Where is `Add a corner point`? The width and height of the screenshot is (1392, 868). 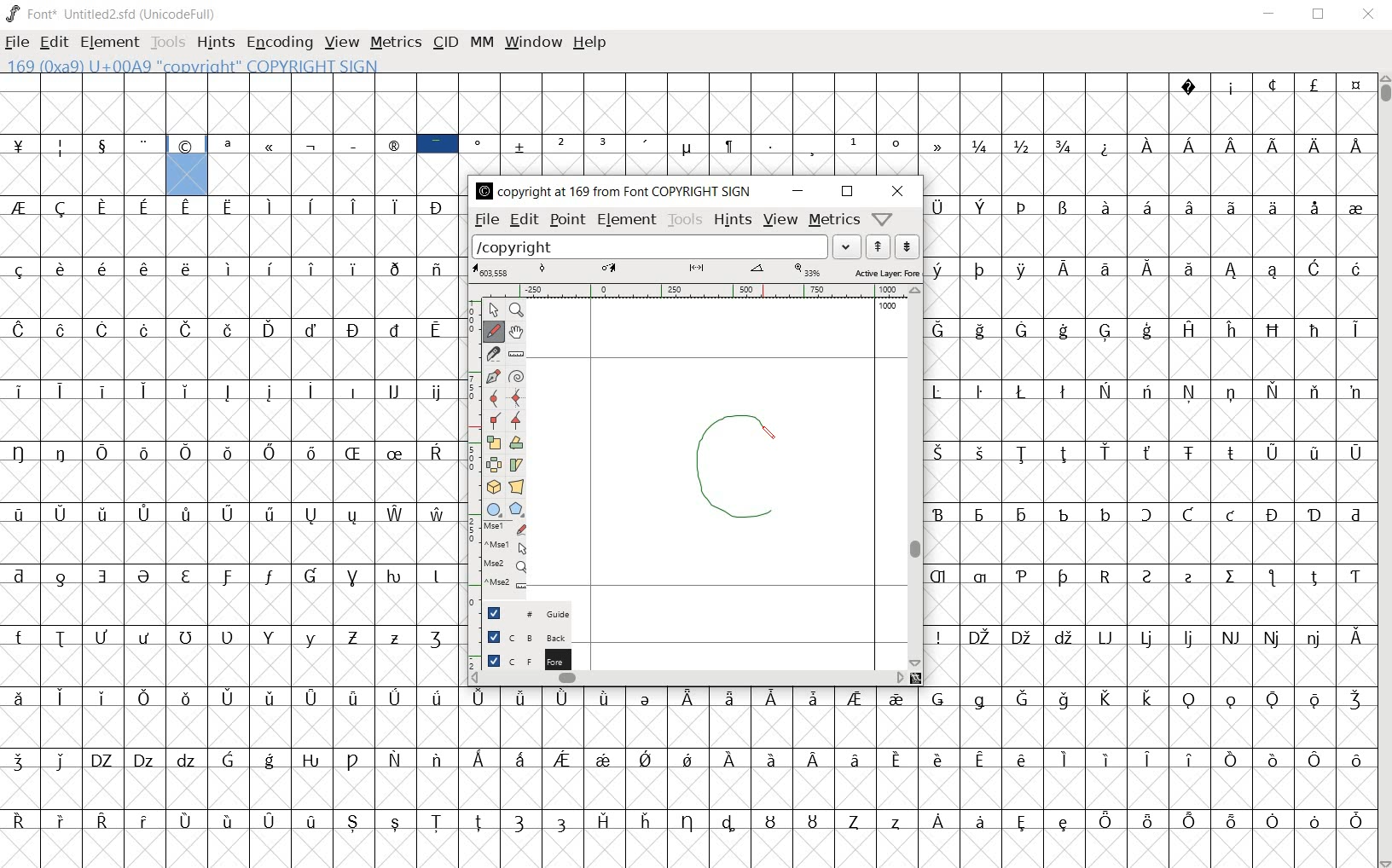
Add a corner point is located at coordinates (516, 421).